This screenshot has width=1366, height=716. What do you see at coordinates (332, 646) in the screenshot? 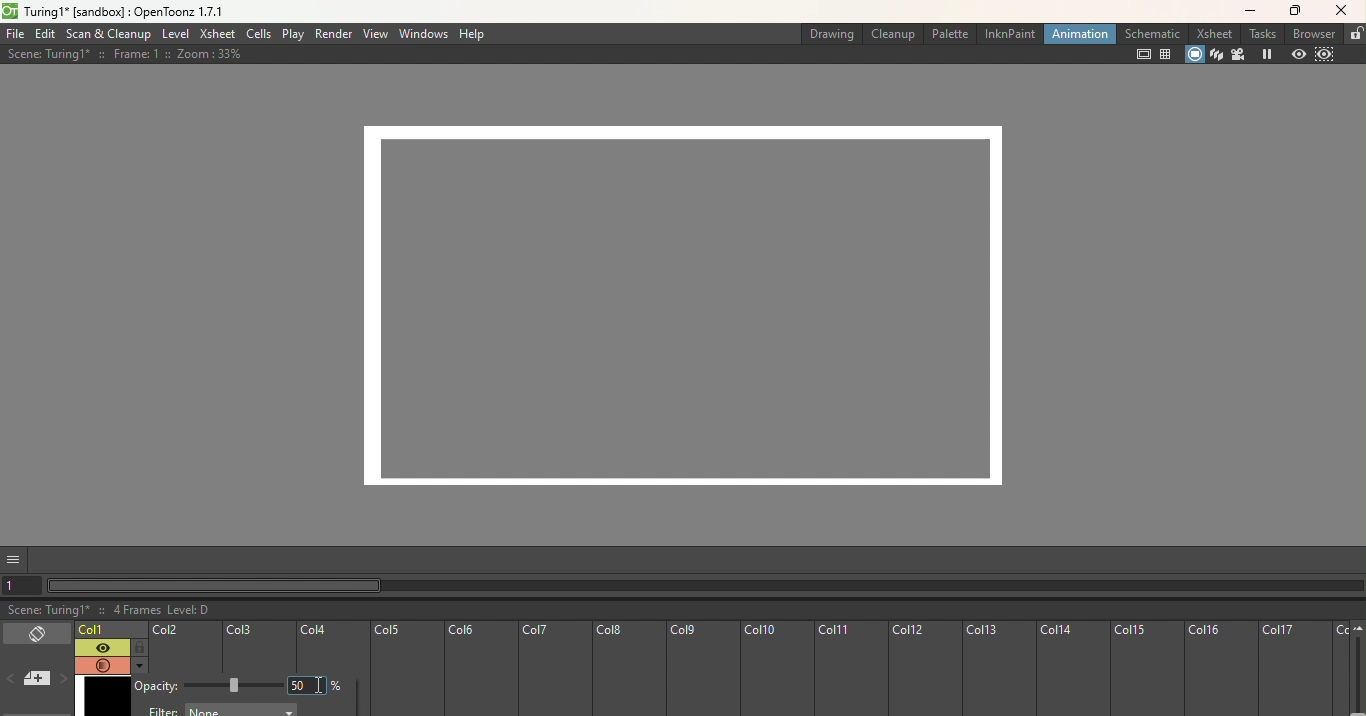
I see `Col4` at bounding box center [332, 646].